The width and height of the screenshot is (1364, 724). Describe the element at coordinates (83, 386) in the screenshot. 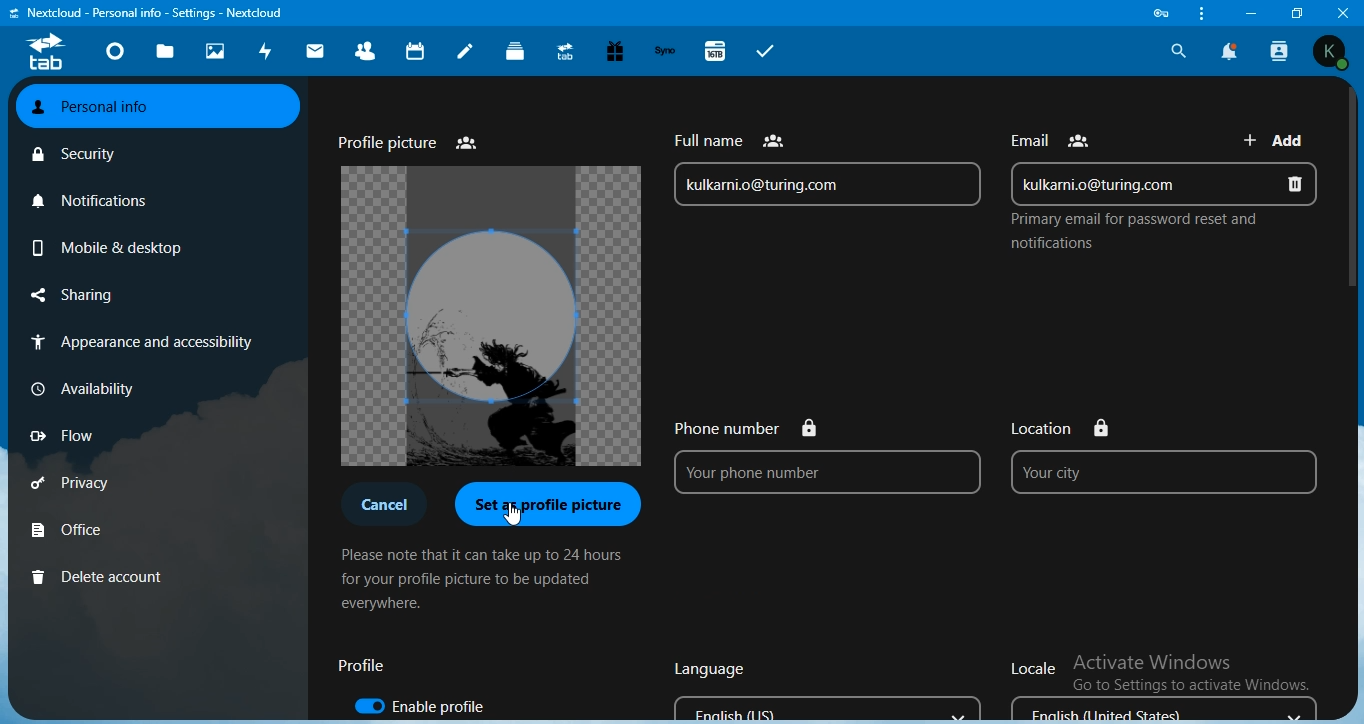

I see `availbility` at that location.